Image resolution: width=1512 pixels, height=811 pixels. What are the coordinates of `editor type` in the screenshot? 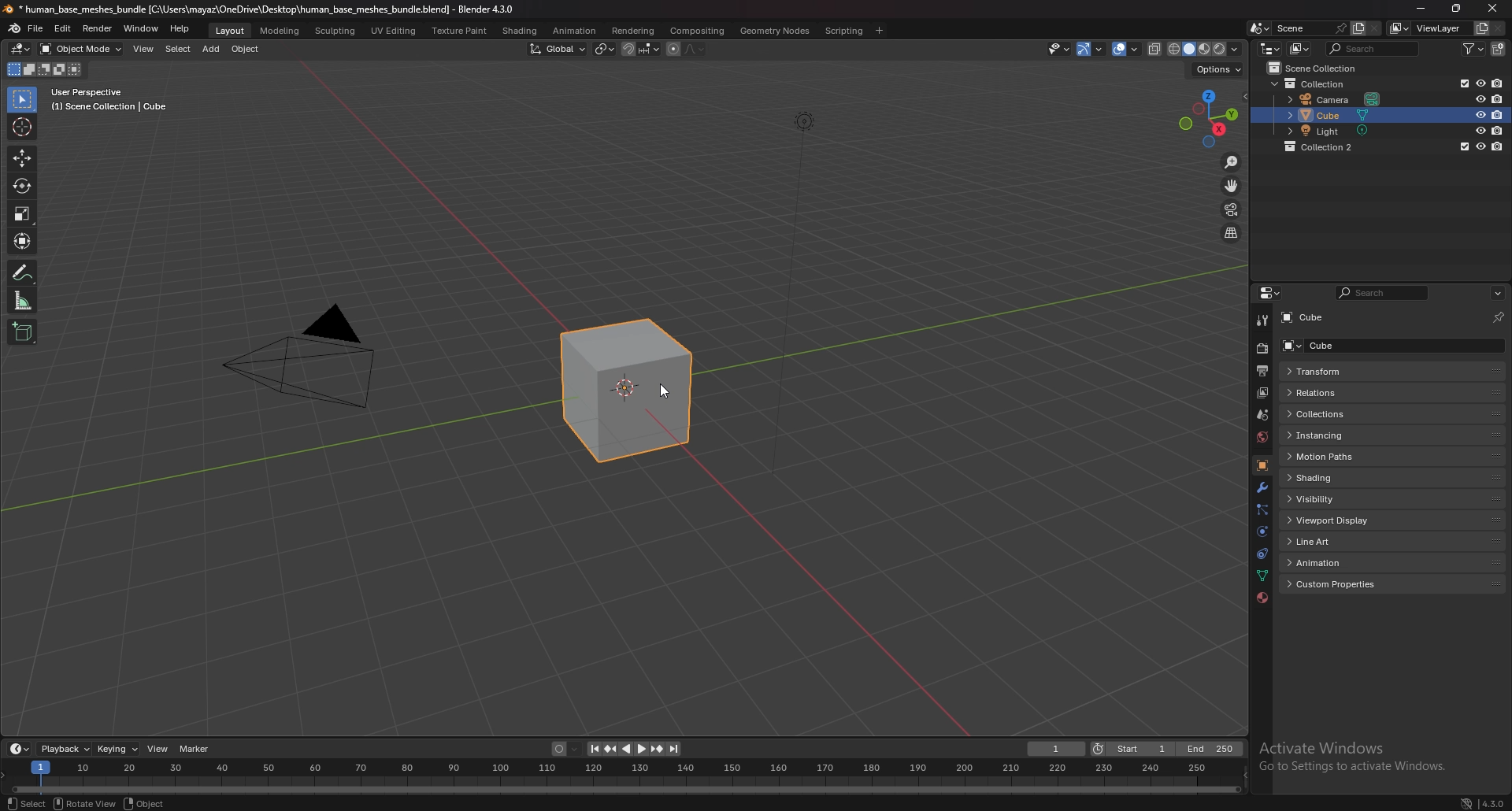 It's located at (20, 748).